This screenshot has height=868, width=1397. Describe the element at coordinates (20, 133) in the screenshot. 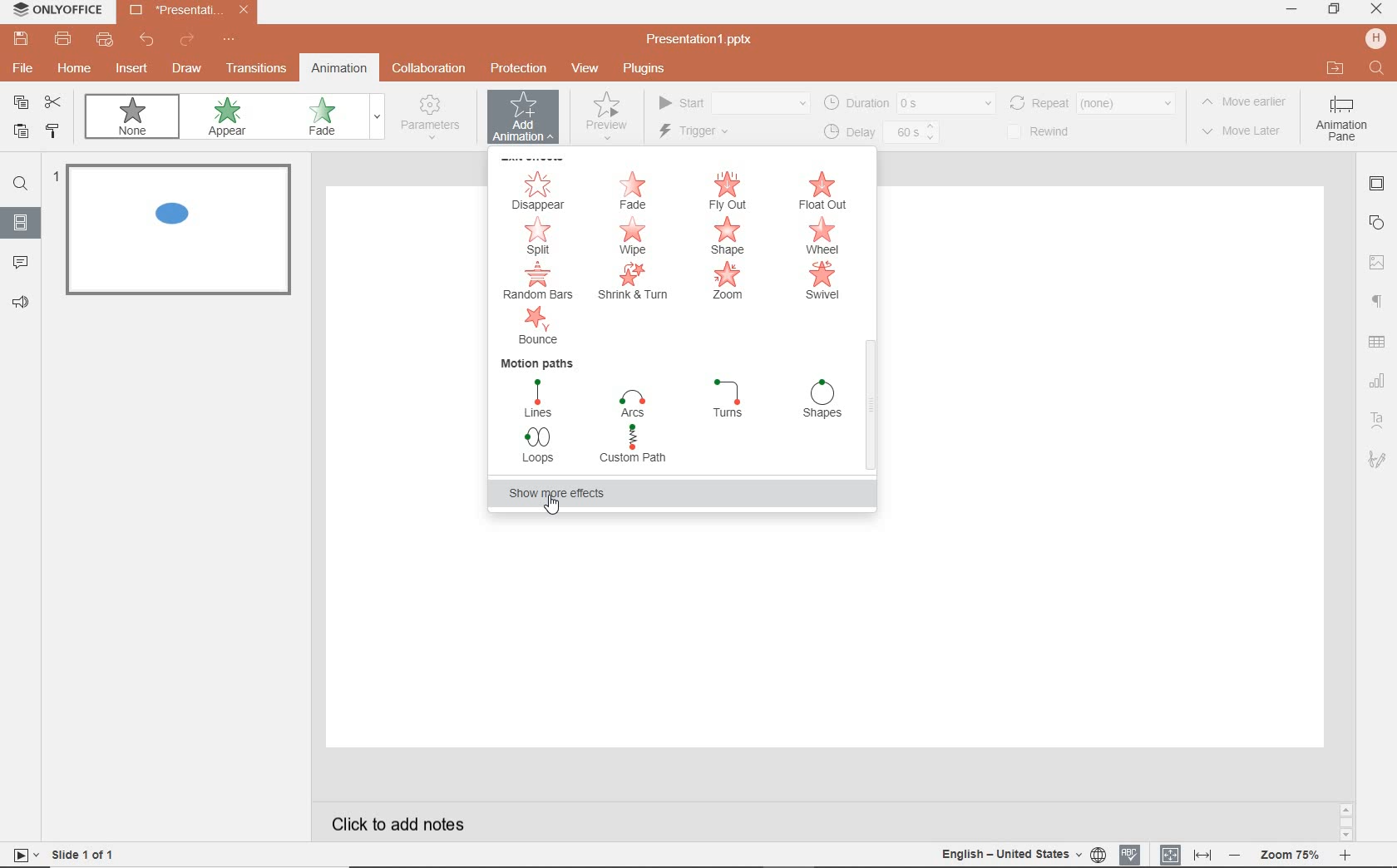

I see `PASTE` at that location.